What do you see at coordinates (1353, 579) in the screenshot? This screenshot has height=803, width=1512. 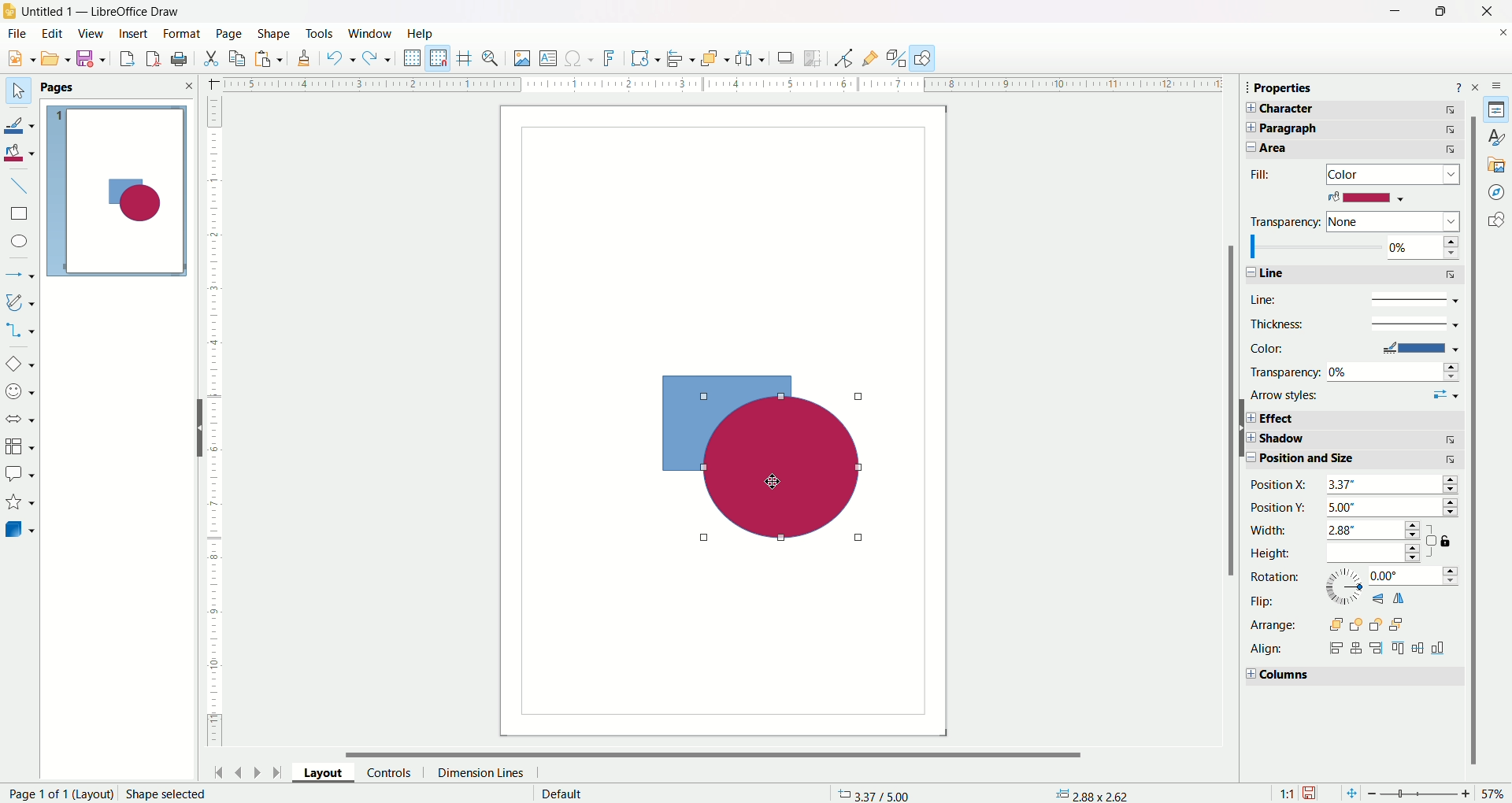 I see `rotations` at bounding box center [1353, 579].